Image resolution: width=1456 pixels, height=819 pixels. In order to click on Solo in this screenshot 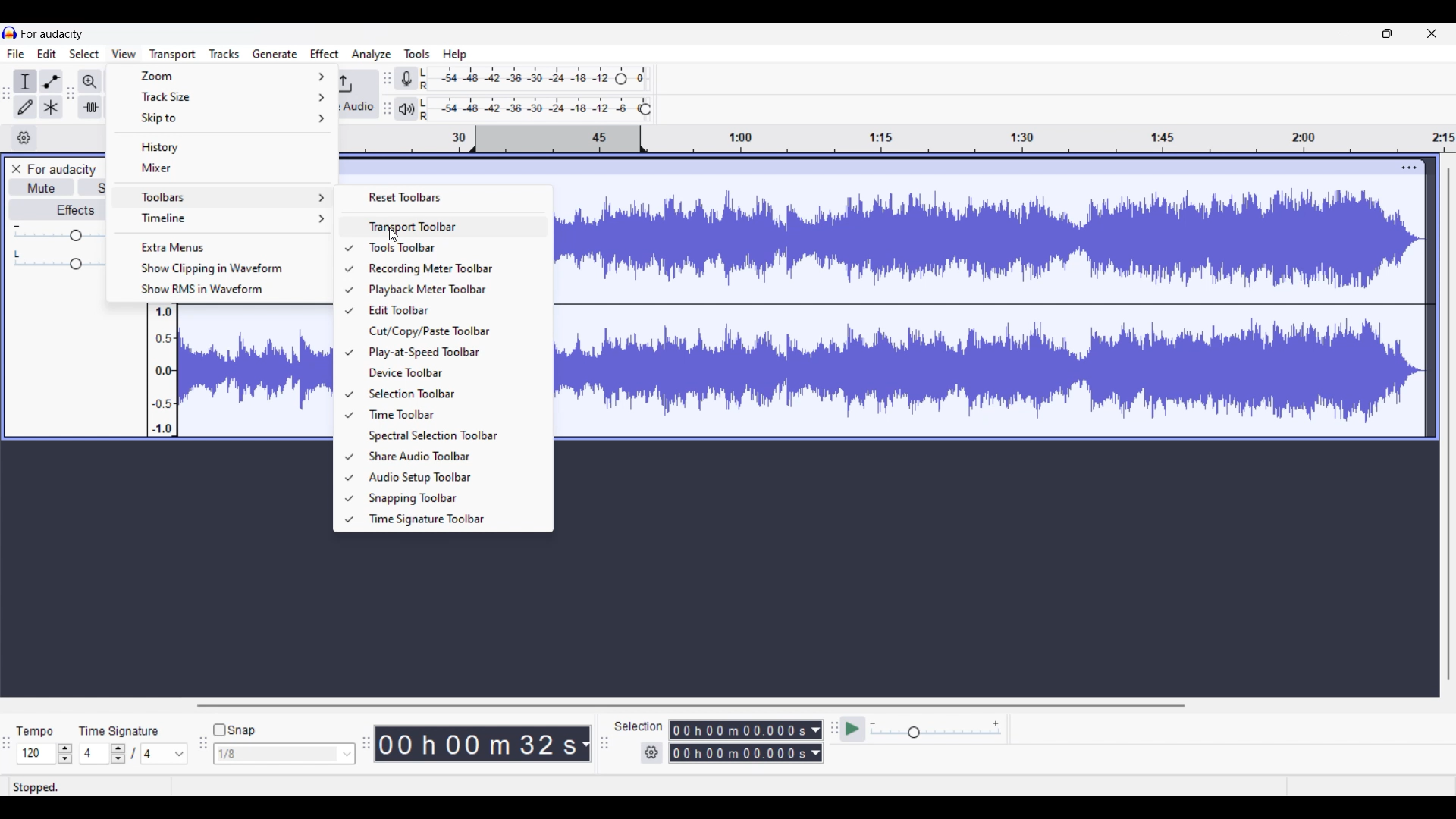, I will do `click(93, 187)`.